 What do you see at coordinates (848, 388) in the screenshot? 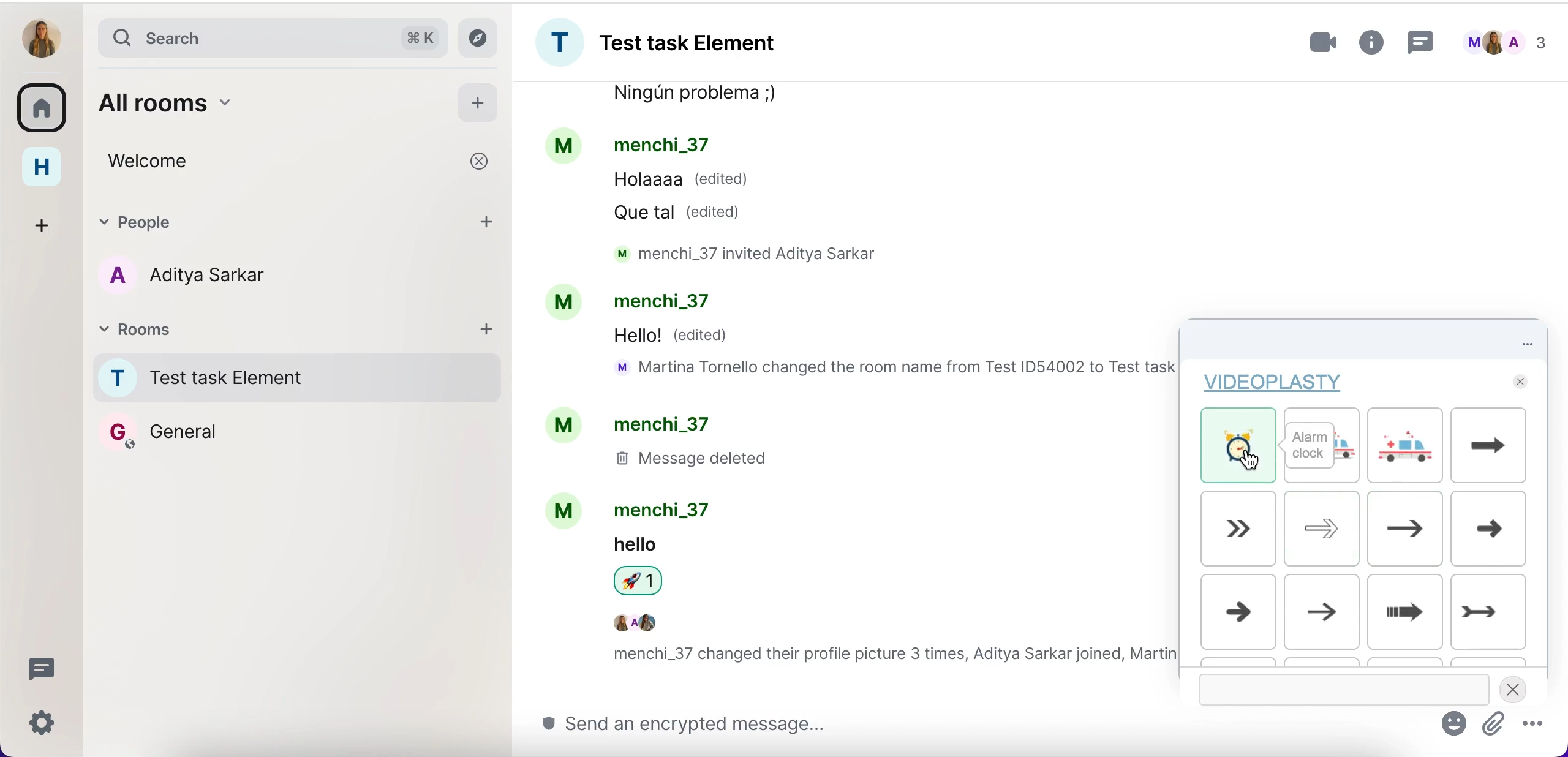
I see `chat` at bounding box center [848, 388].